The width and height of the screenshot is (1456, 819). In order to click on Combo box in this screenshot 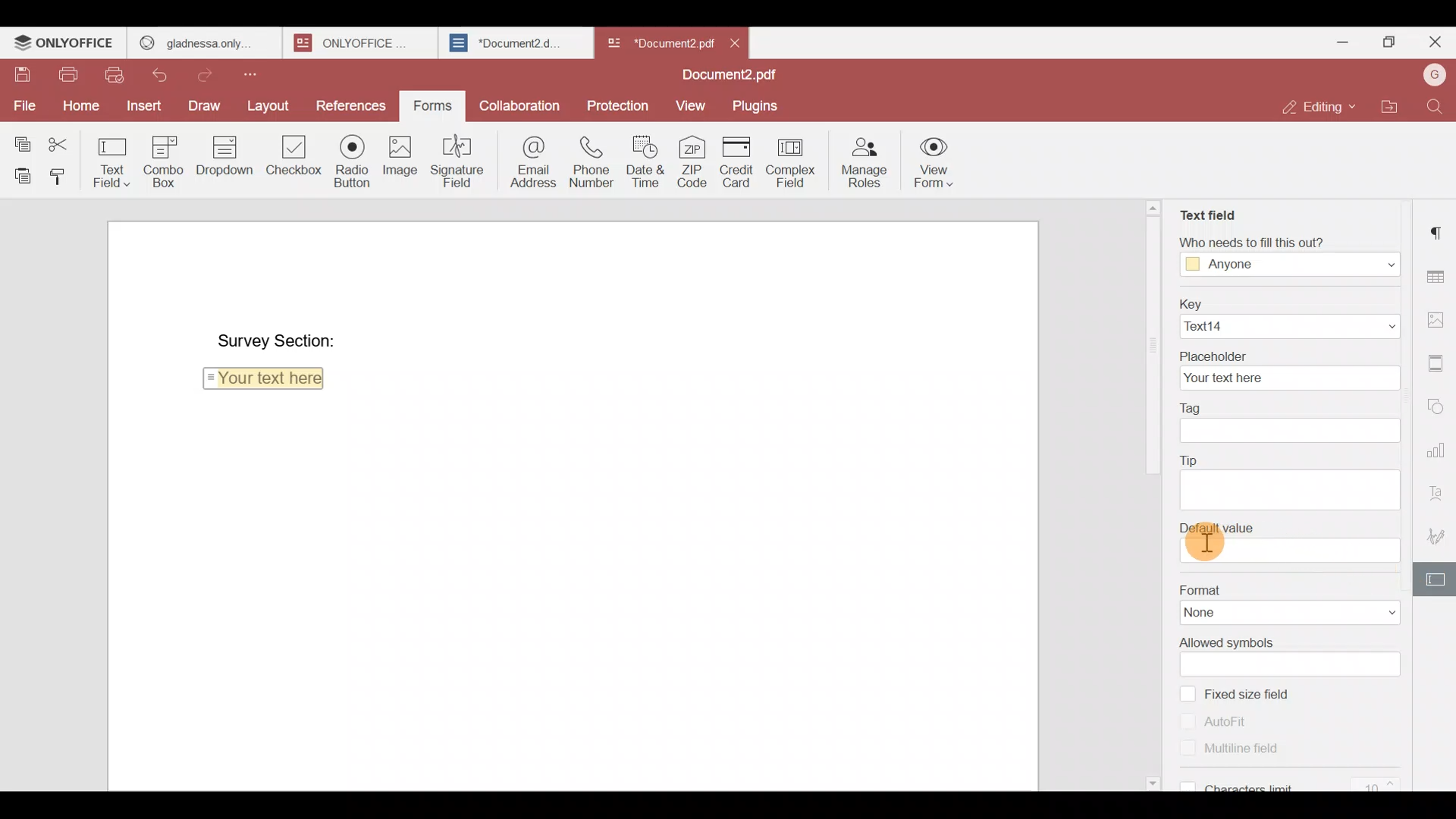, I will do `click(161, 161)`.